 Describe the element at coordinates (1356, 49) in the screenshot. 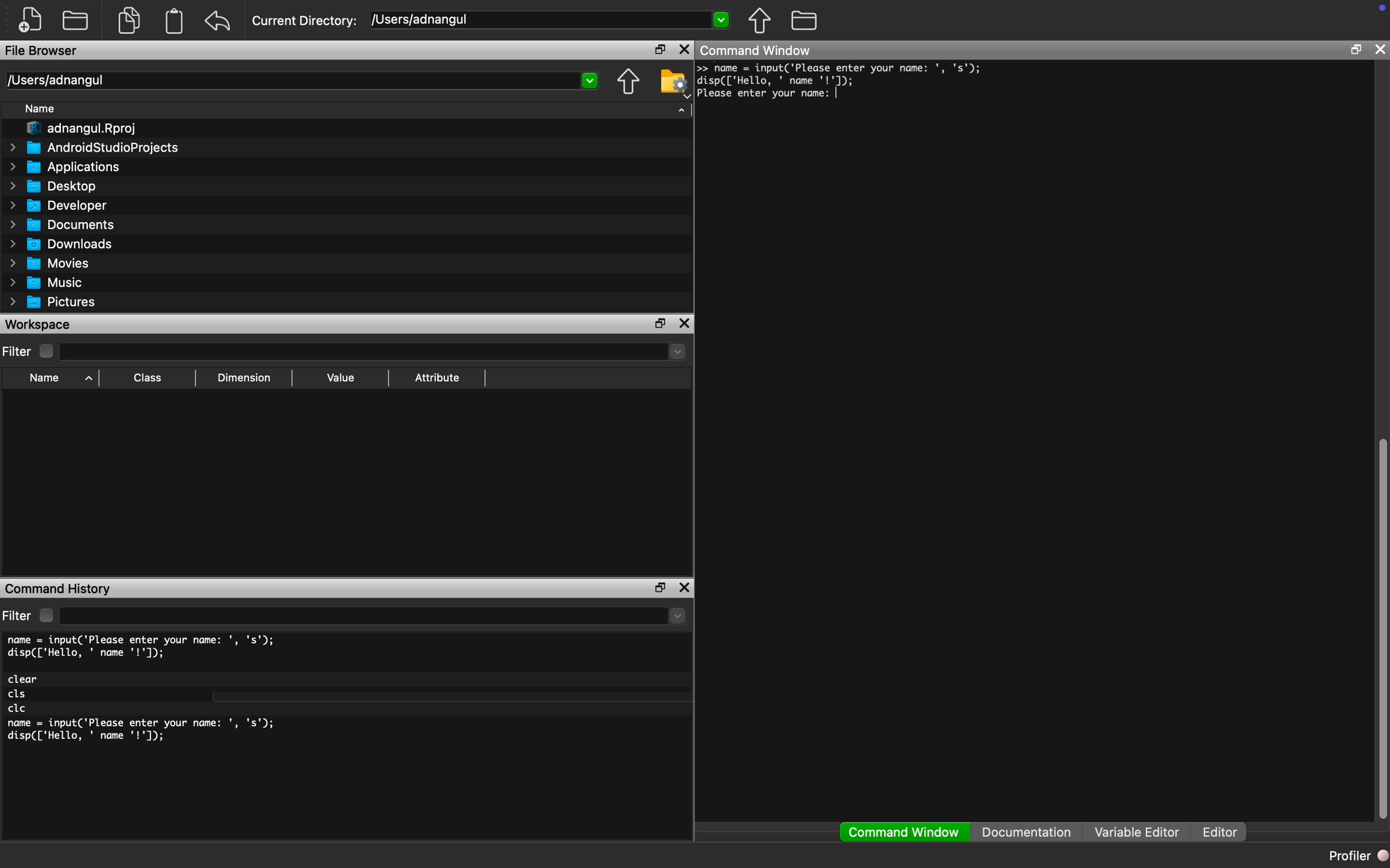

I see `maximize` at that location.